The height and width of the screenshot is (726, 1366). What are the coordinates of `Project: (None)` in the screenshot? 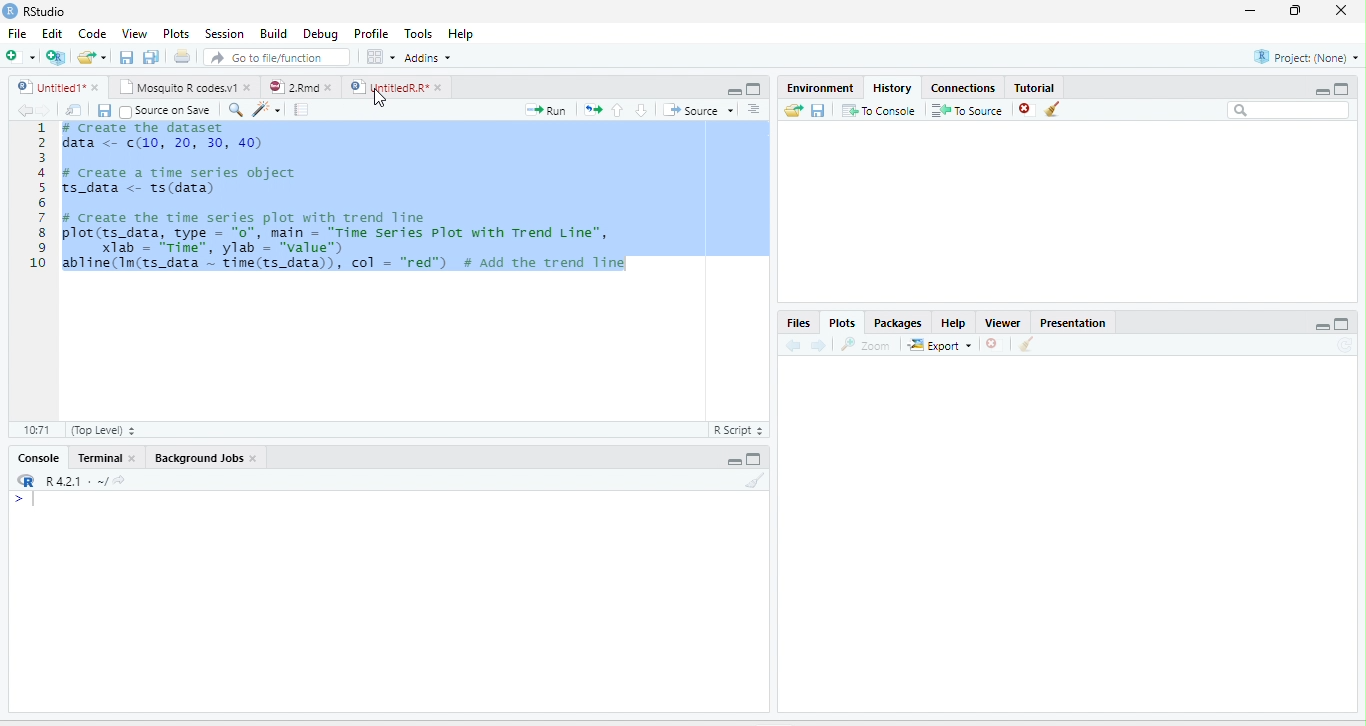 It's located at (1304, 57).